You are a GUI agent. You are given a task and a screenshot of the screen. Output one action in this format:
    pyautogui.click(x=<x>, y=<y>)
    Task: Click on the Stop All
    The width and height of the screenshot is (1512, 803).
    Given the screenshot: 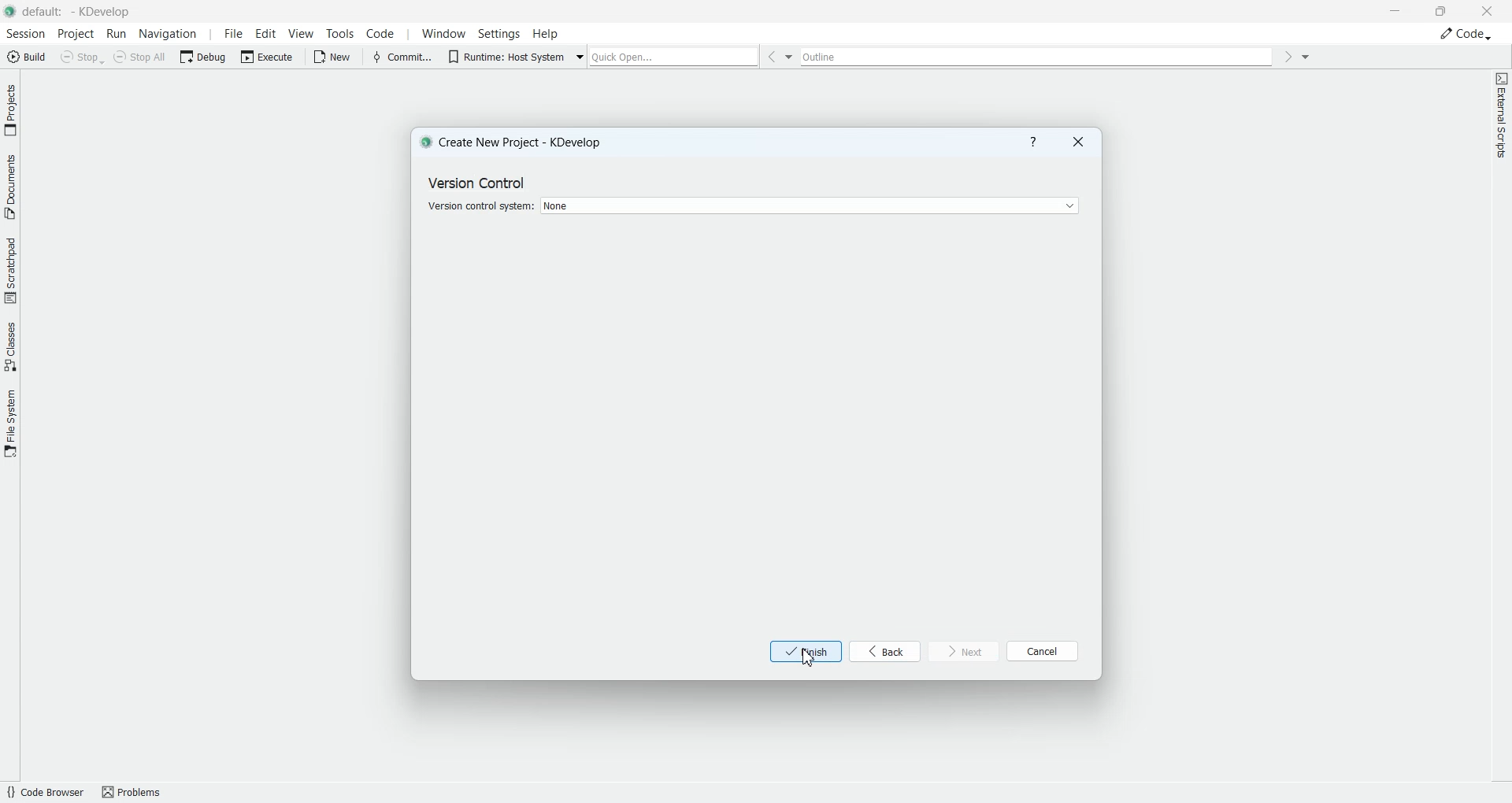 What is the action you would take?
    pyautogui.click(x=142, y=57)
    